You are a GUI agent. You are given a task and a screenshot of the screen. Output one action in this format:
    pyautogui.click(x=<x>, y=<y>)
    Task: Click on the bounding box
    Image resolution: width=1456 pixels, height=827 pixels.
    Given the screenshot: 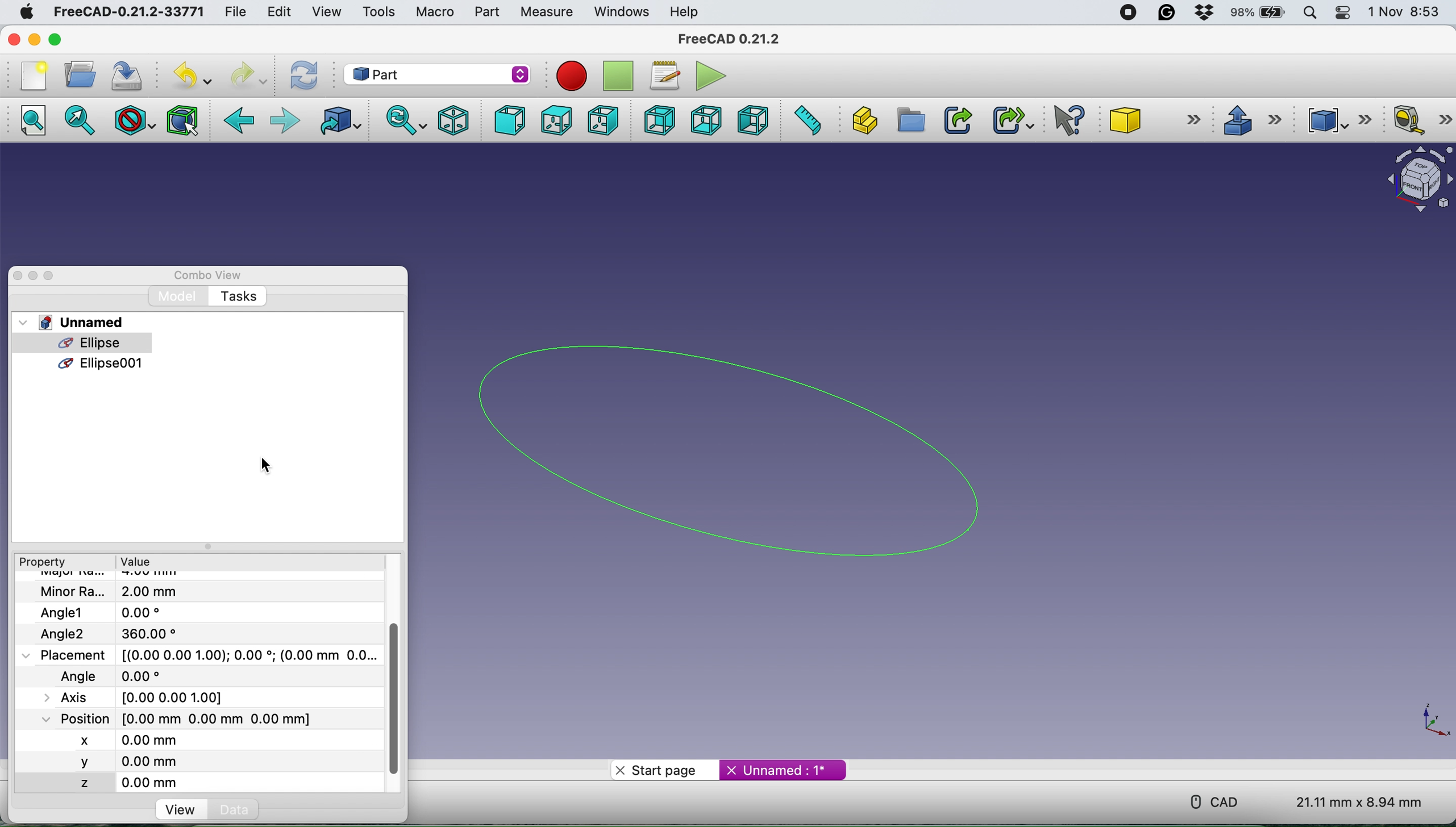 What is the action you would take?
    pyautogui.click(x=181, y=120)
    